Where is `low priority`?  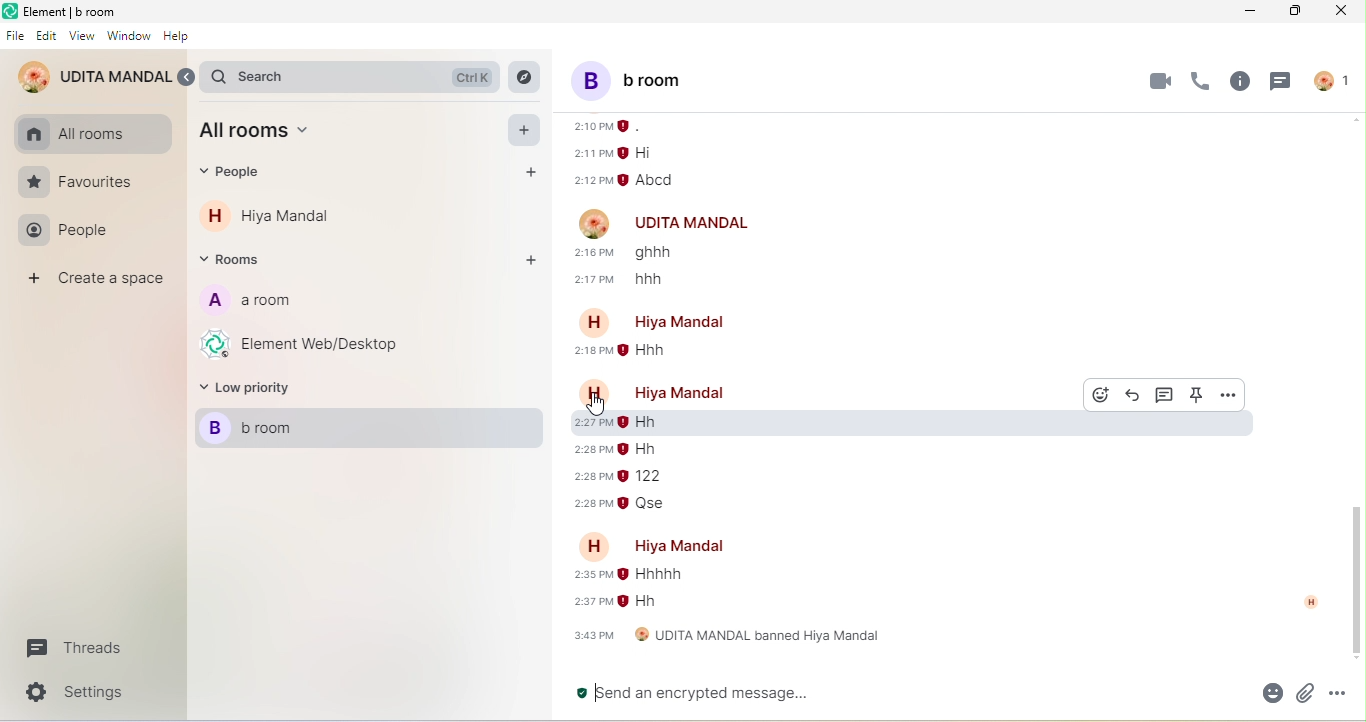 low priority is located at coordinates (251, 391).